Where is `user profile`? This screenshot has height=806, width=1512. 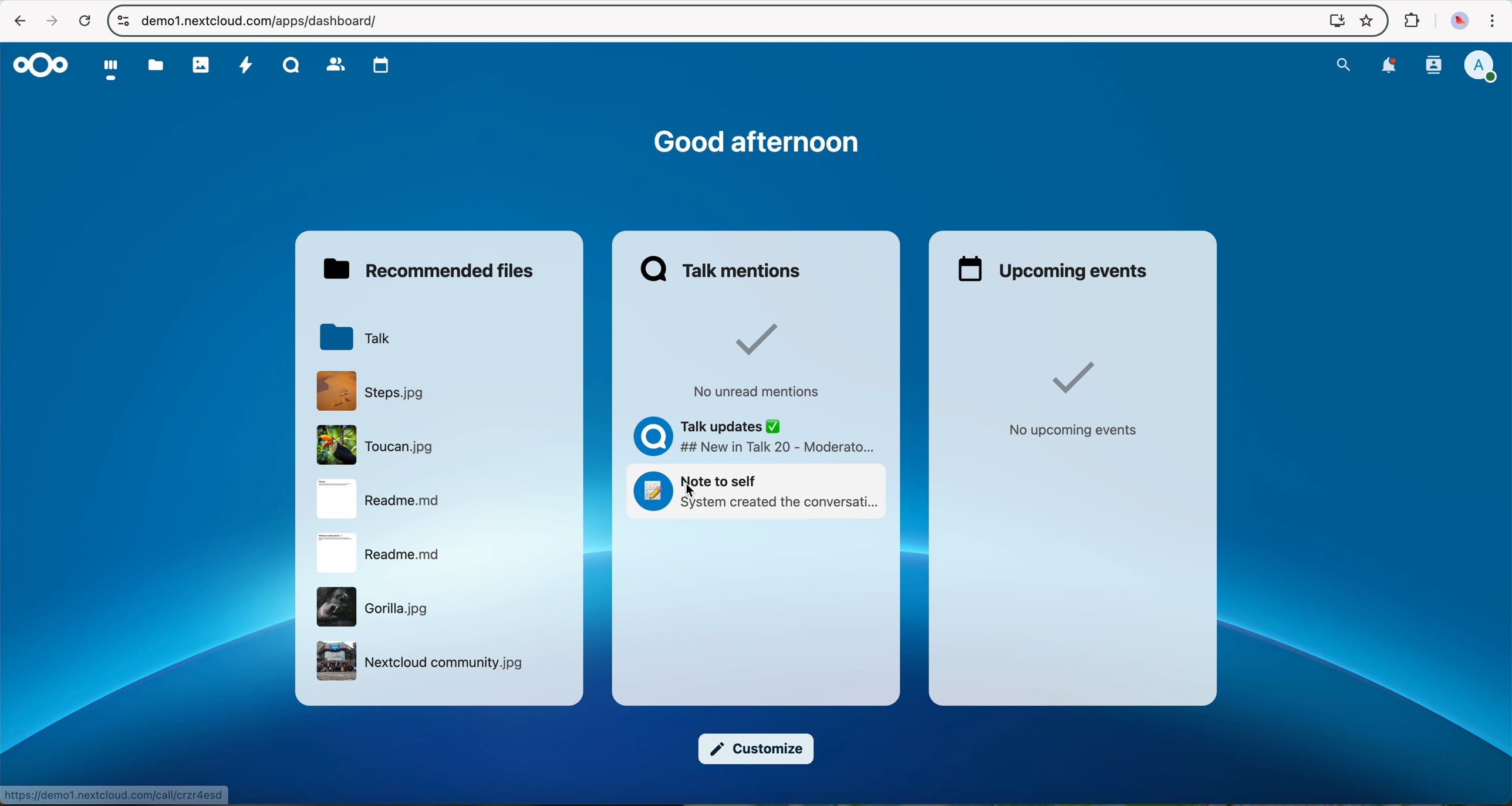
user profile is located at coordinates (1486, 66).